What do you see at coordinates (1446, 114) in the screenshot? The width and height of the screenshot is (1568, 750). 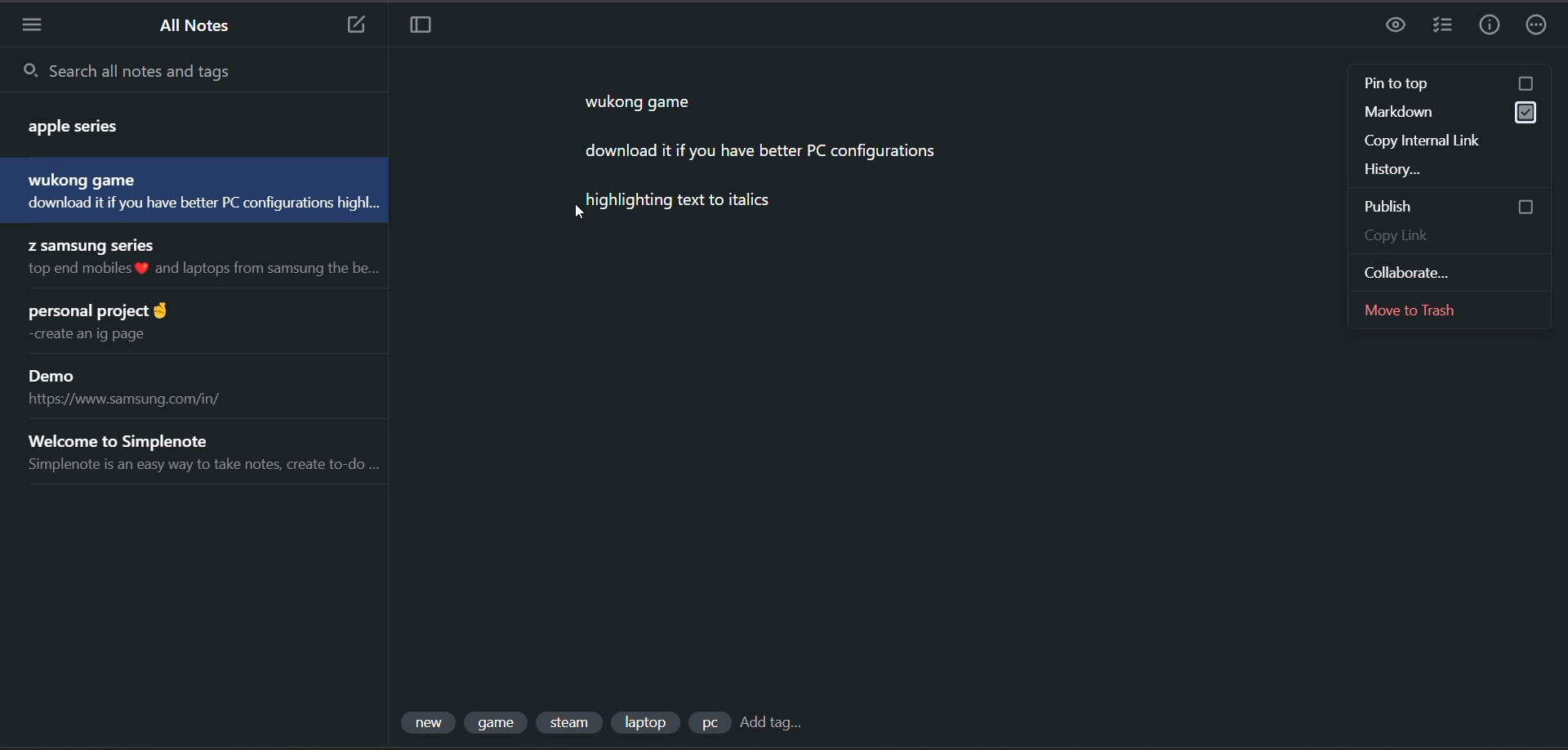 I see `markdown enabled` at bounding box center [1446, 114].